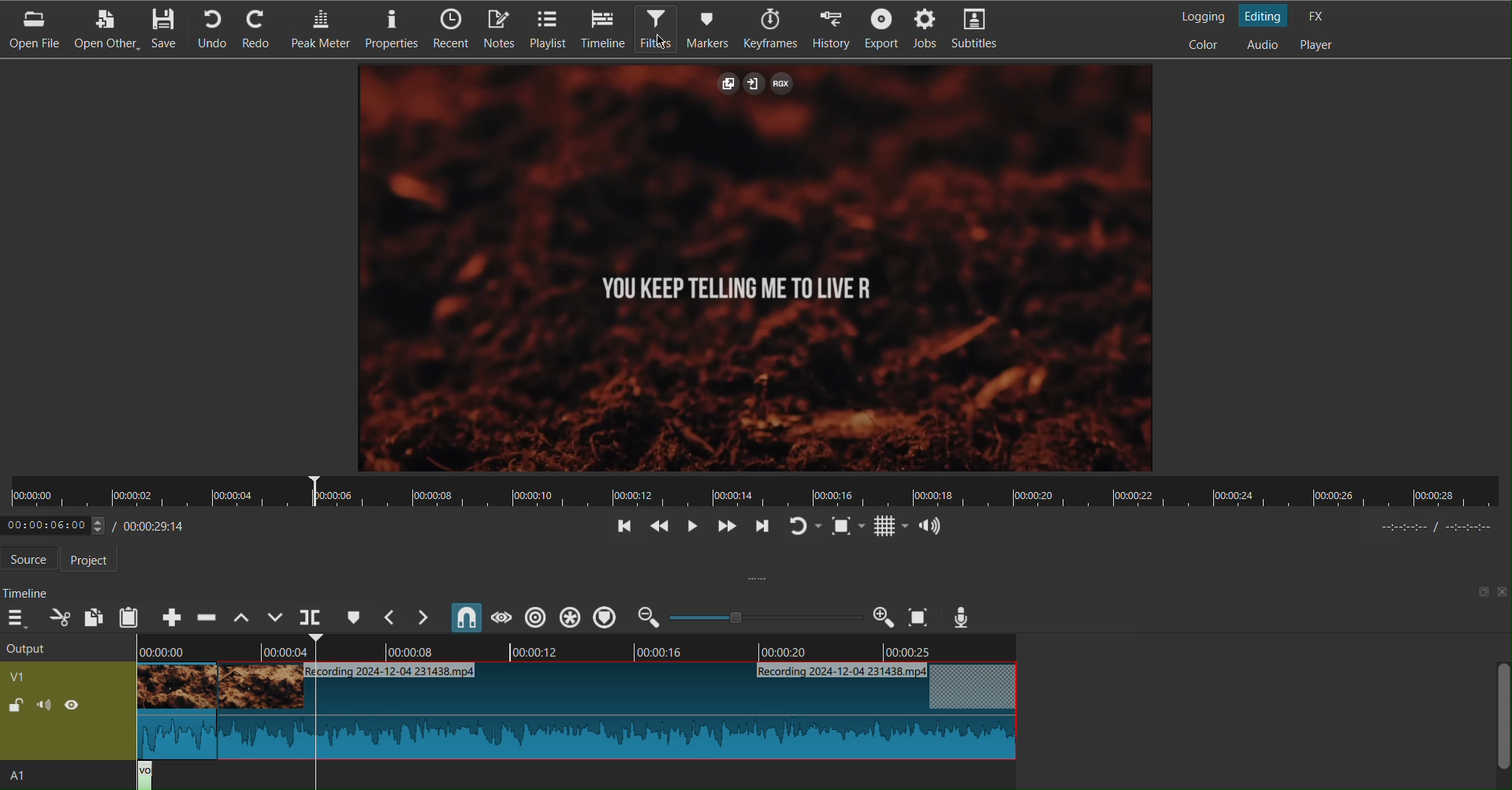 The height and width of the screenshot is (790, 1512). Describe the element at coordinates (213, 31) in the screenshot. I see `Undo` at that location.